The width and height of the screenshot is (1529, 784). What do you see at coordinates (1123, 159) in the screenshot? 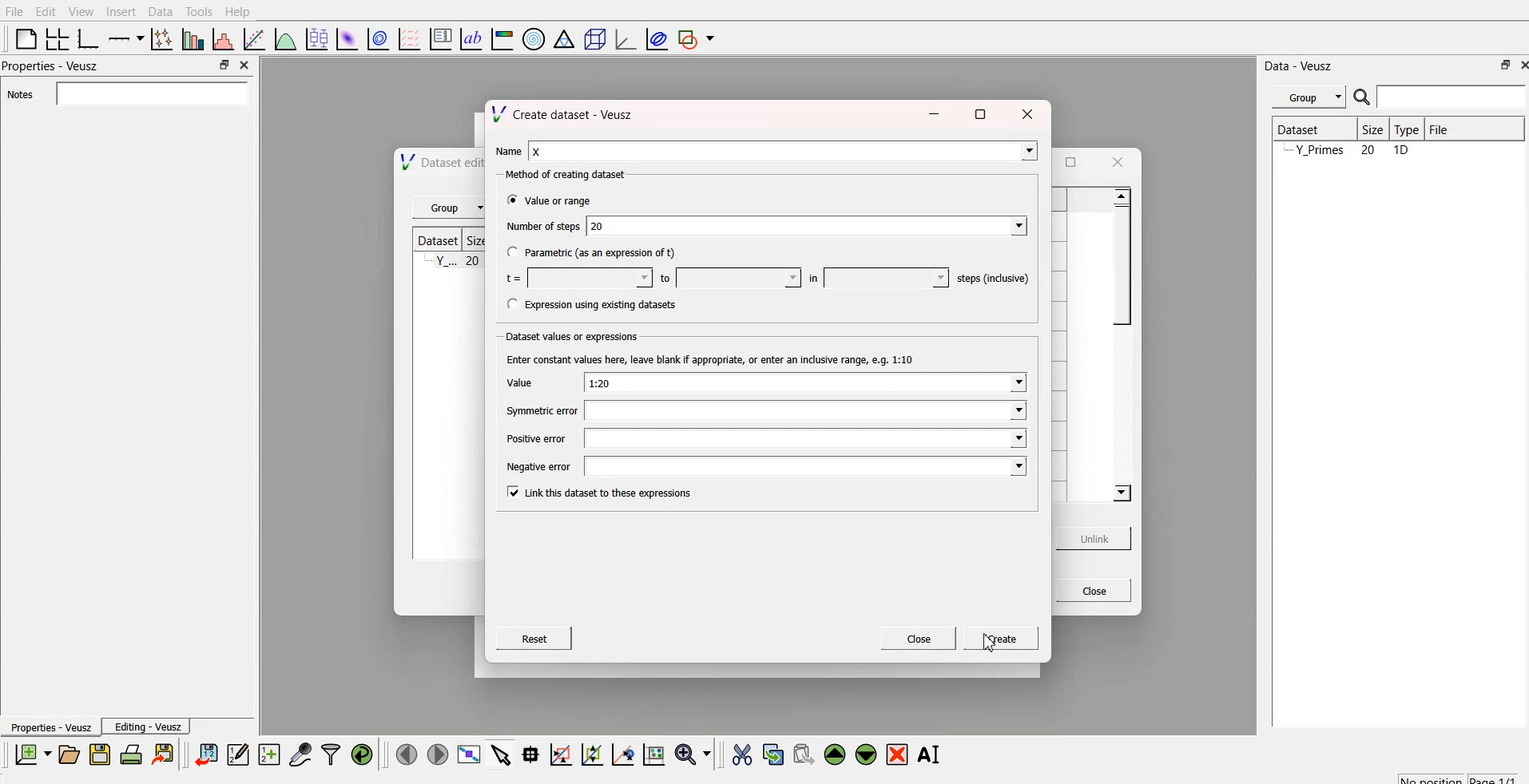
I see `close` at bounding box center [1123, 159].